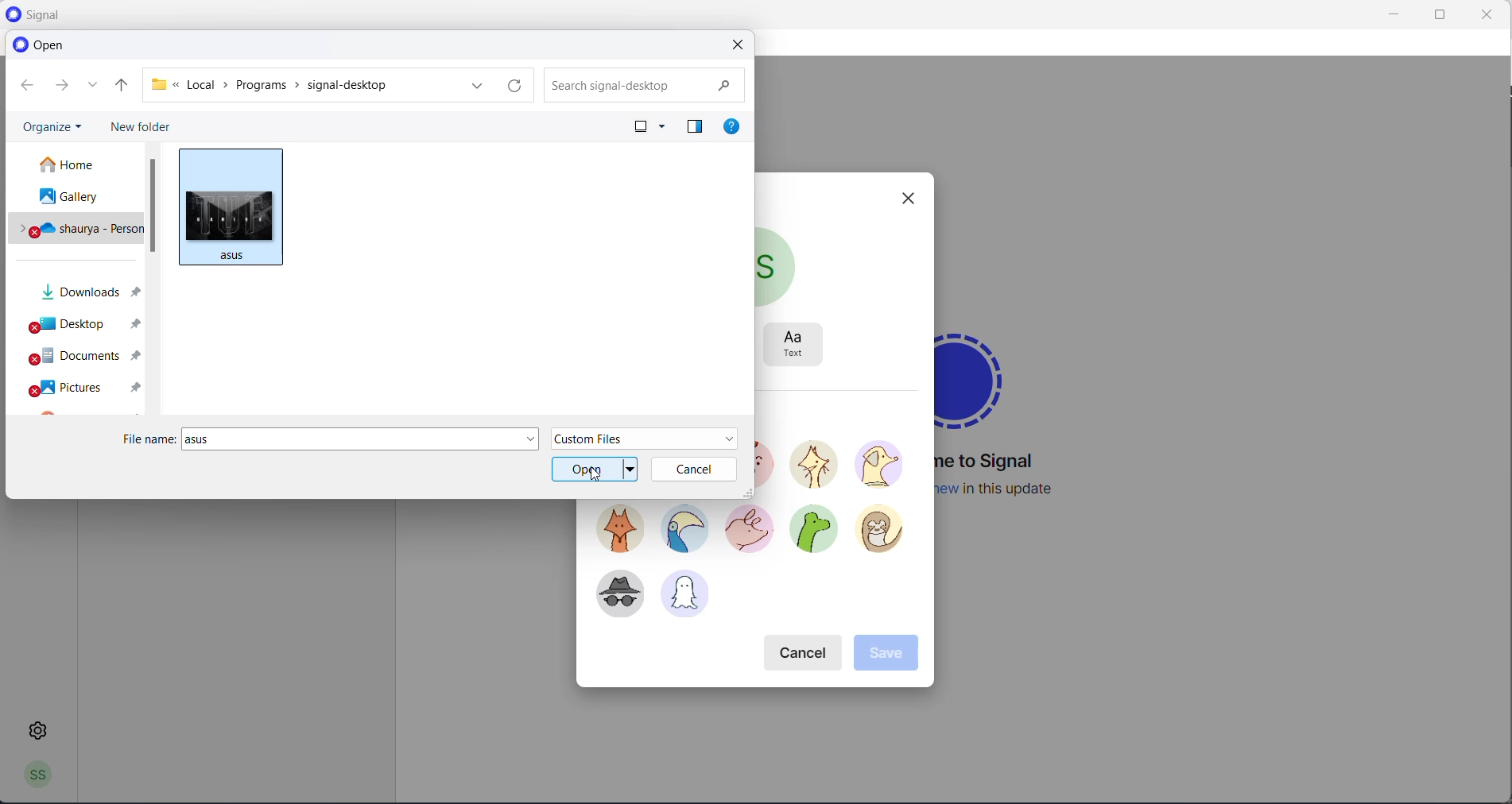 The width and height of the screenshot is (1512, 804). What do you see at coordinates (733, 126) in the screenshot?
I see `get help` at bounding box center [733, 126].